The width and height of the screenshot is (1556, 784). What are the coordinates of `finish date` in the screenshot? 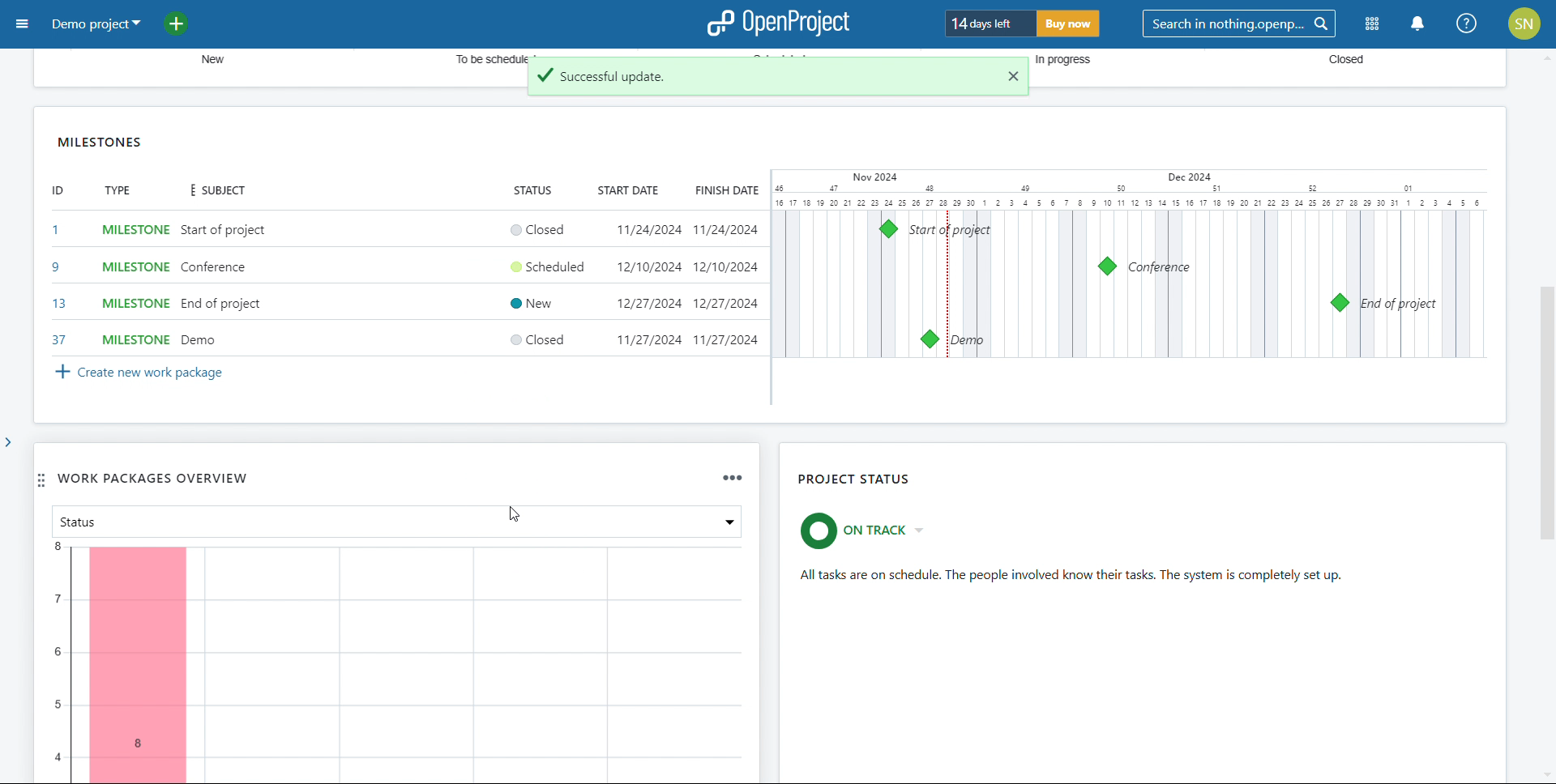 It's located at (725, 190).